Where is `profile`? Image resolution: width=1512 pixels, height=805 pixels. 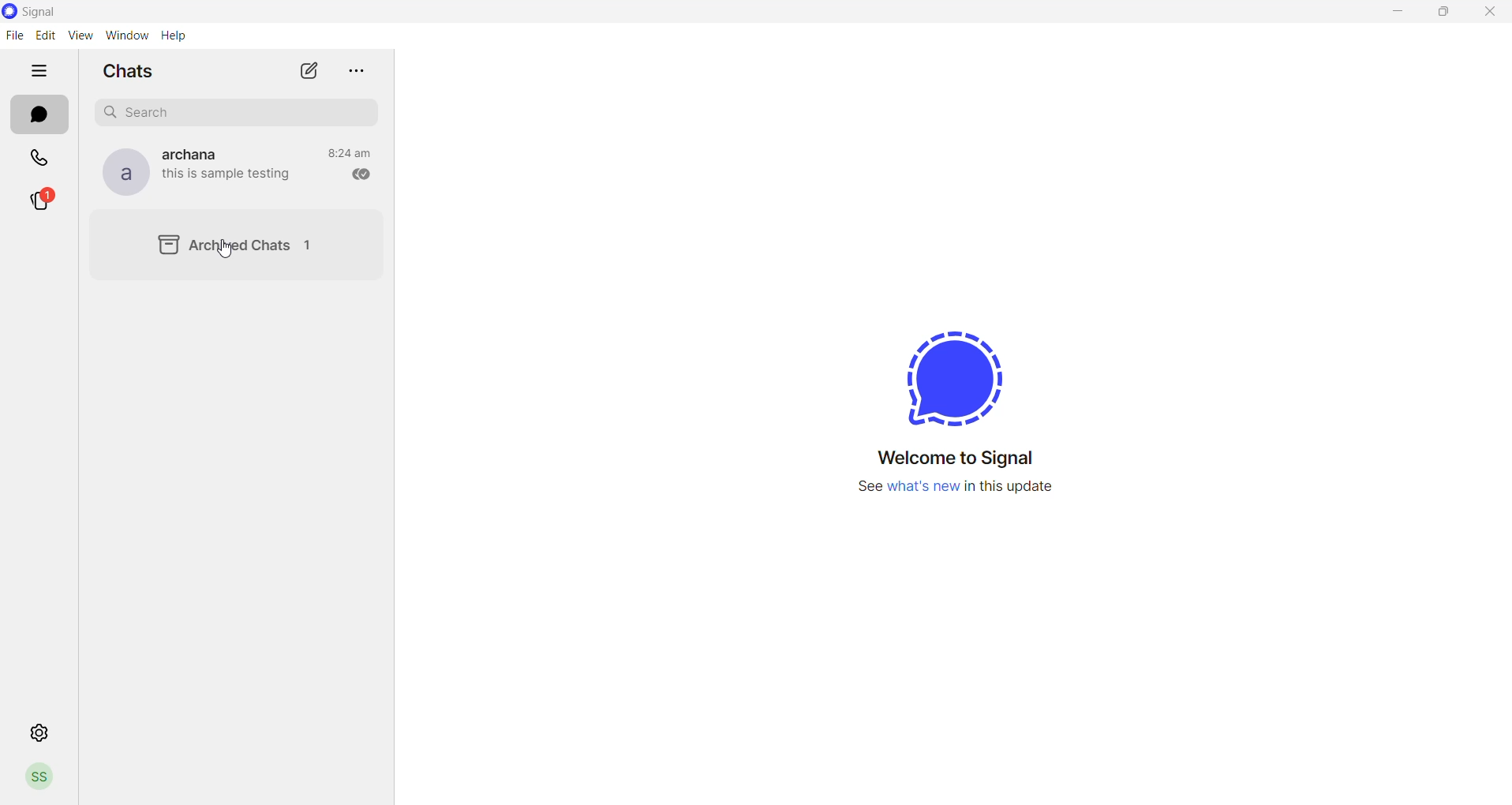 profile is located at coordinates (43, 775).